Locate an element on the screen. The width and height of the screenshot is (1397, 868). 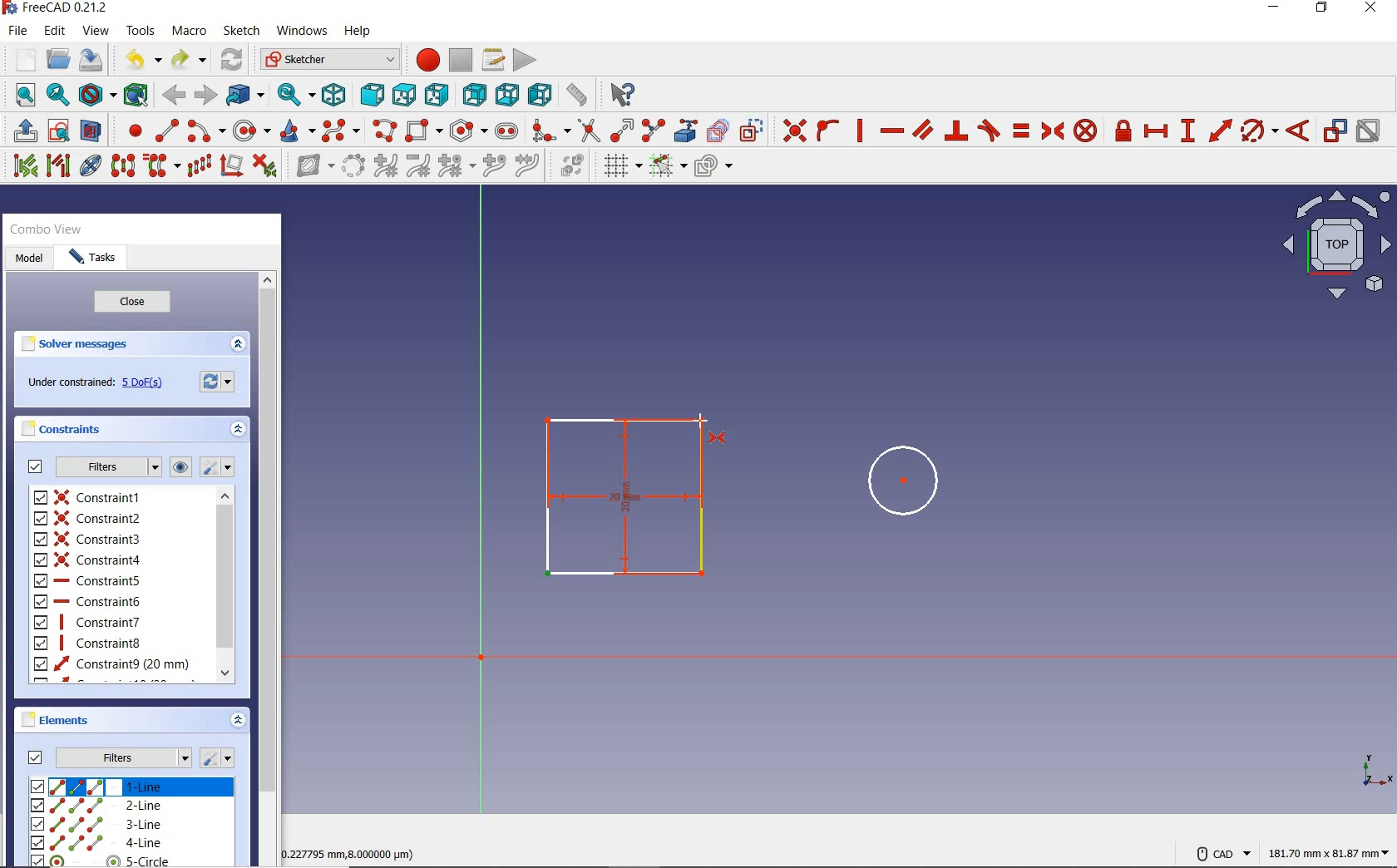
constraint6 is located at coordinates (87, 601).